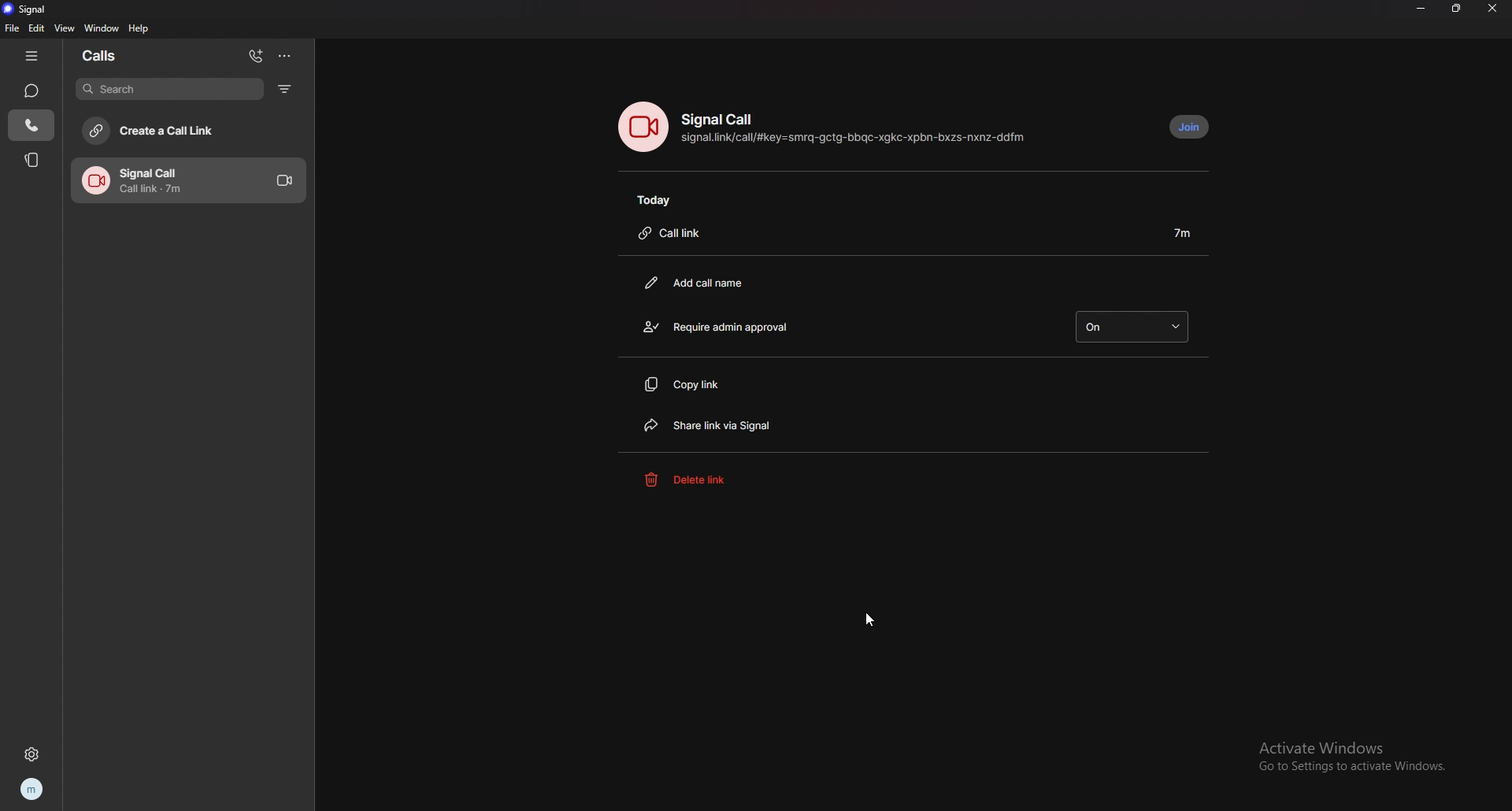 The width and height of the screenshot is (1512, 811). What do you see at coordinates (869, 619) in the screenshot?
I see `cursor` at bounding box center [869, 619].